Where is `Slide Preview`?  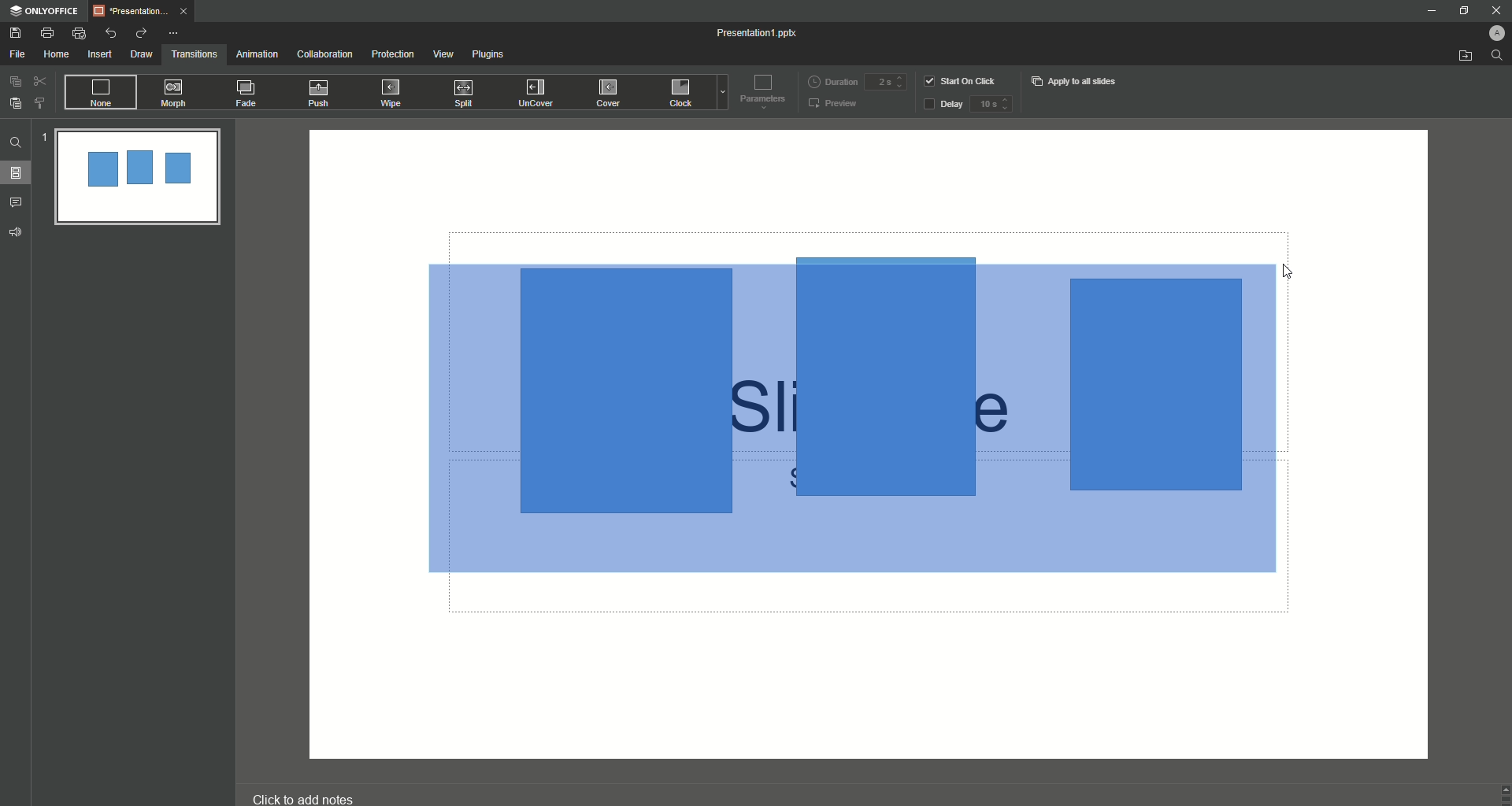 Slide Preview is located at coordinates (135, 179).